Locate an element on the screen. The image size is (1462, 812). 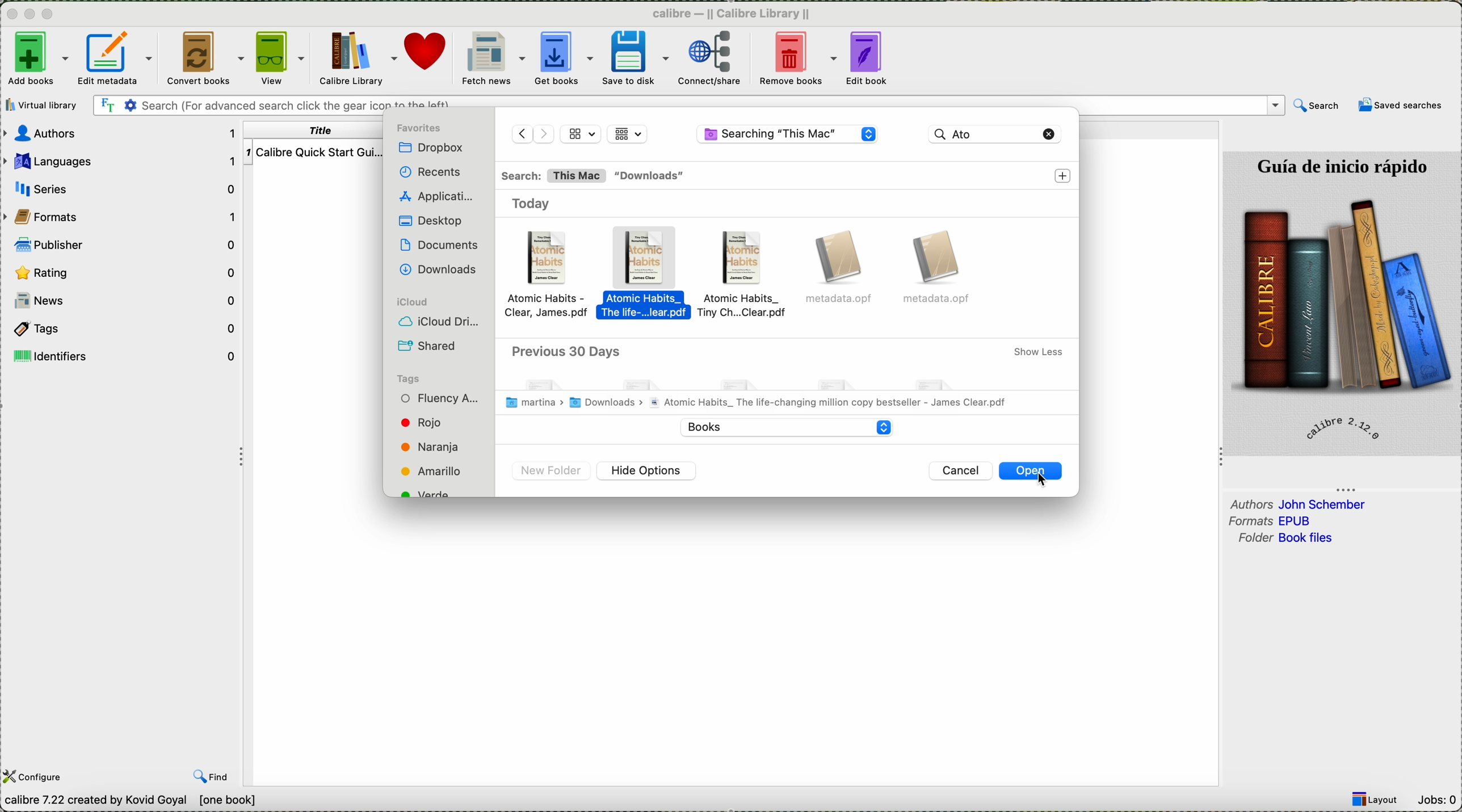
maximize program is located at coordinates (50, 15).